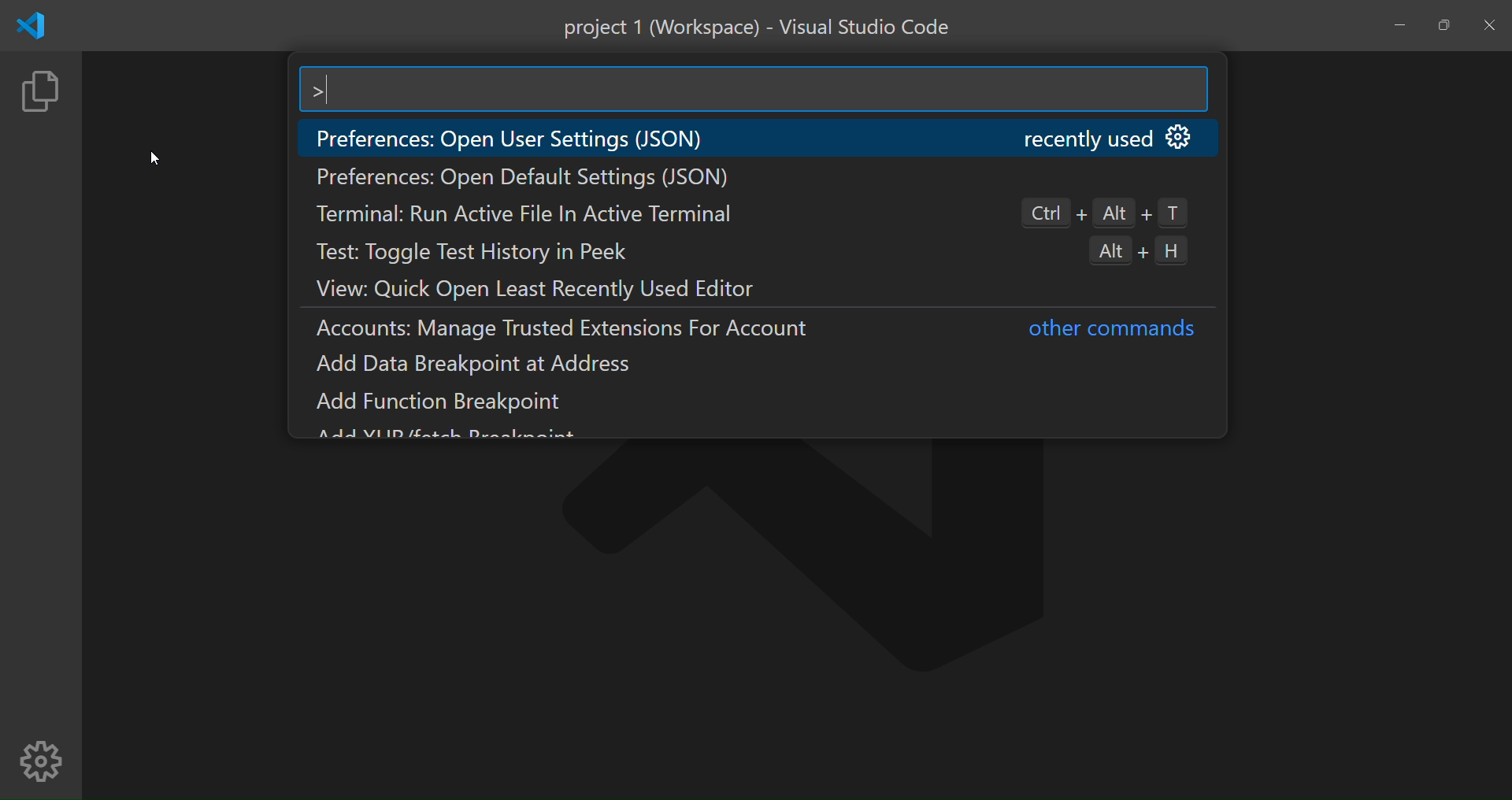  Describe the element at coordinates (41, 96) in the screenshot. I see `explorer` at that location.